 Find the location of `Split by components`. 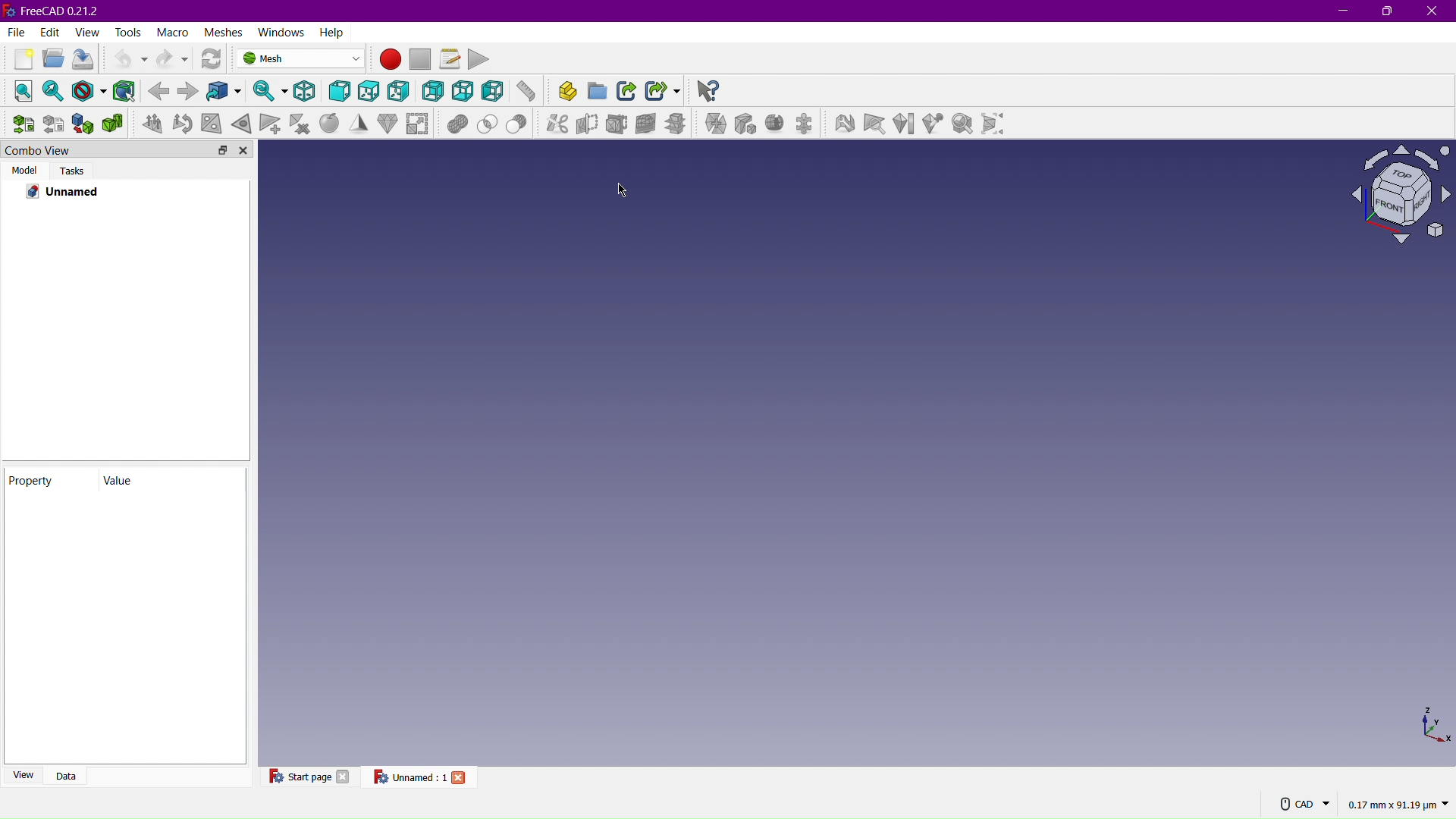

Split by components is located at coordinates (745, 125).